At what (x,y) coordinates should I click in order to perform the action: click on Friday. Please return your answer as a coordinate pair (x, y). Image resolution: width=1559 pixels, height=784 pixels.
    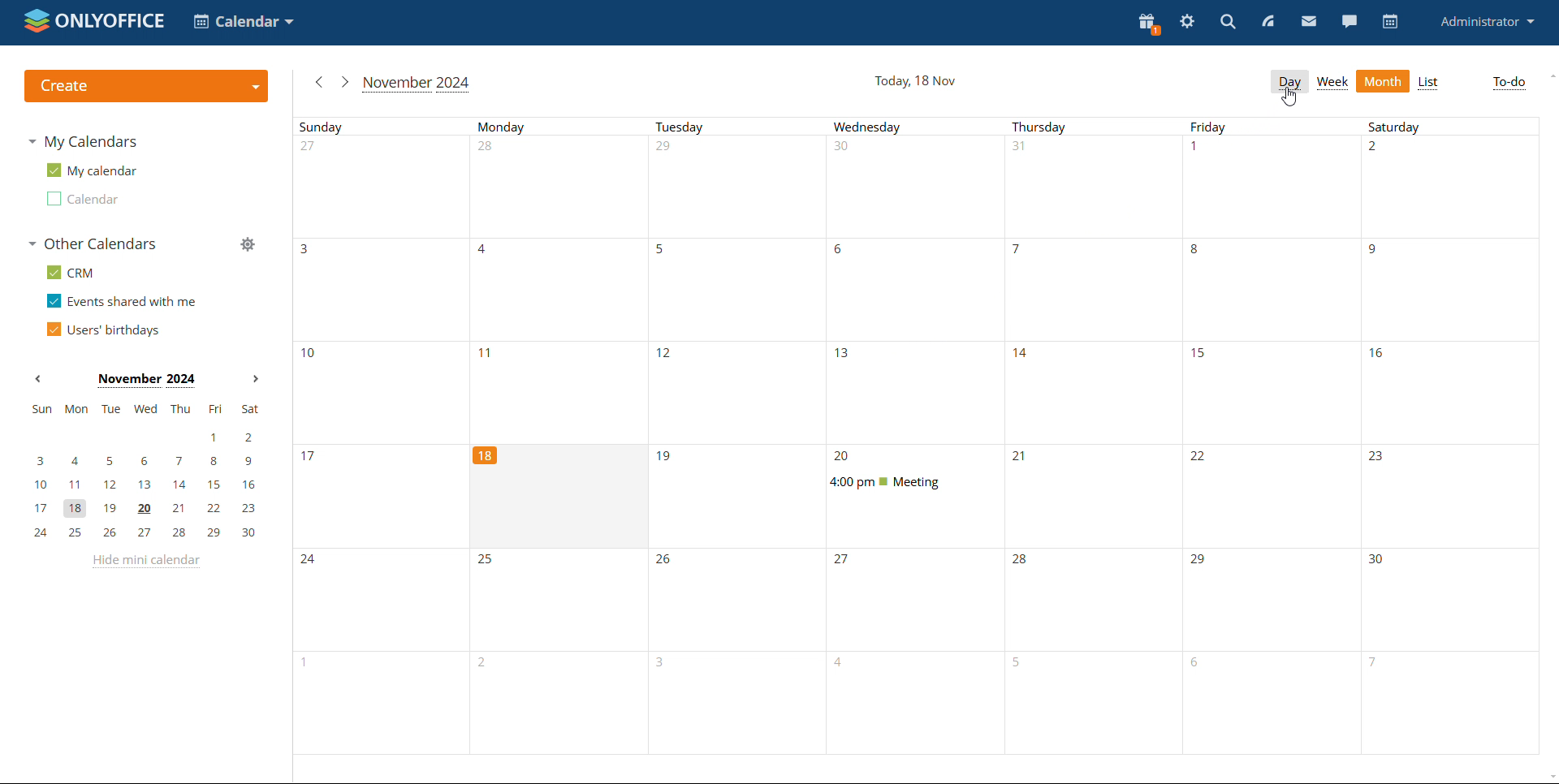
    Looking at the image, I should click on (1274, 446).